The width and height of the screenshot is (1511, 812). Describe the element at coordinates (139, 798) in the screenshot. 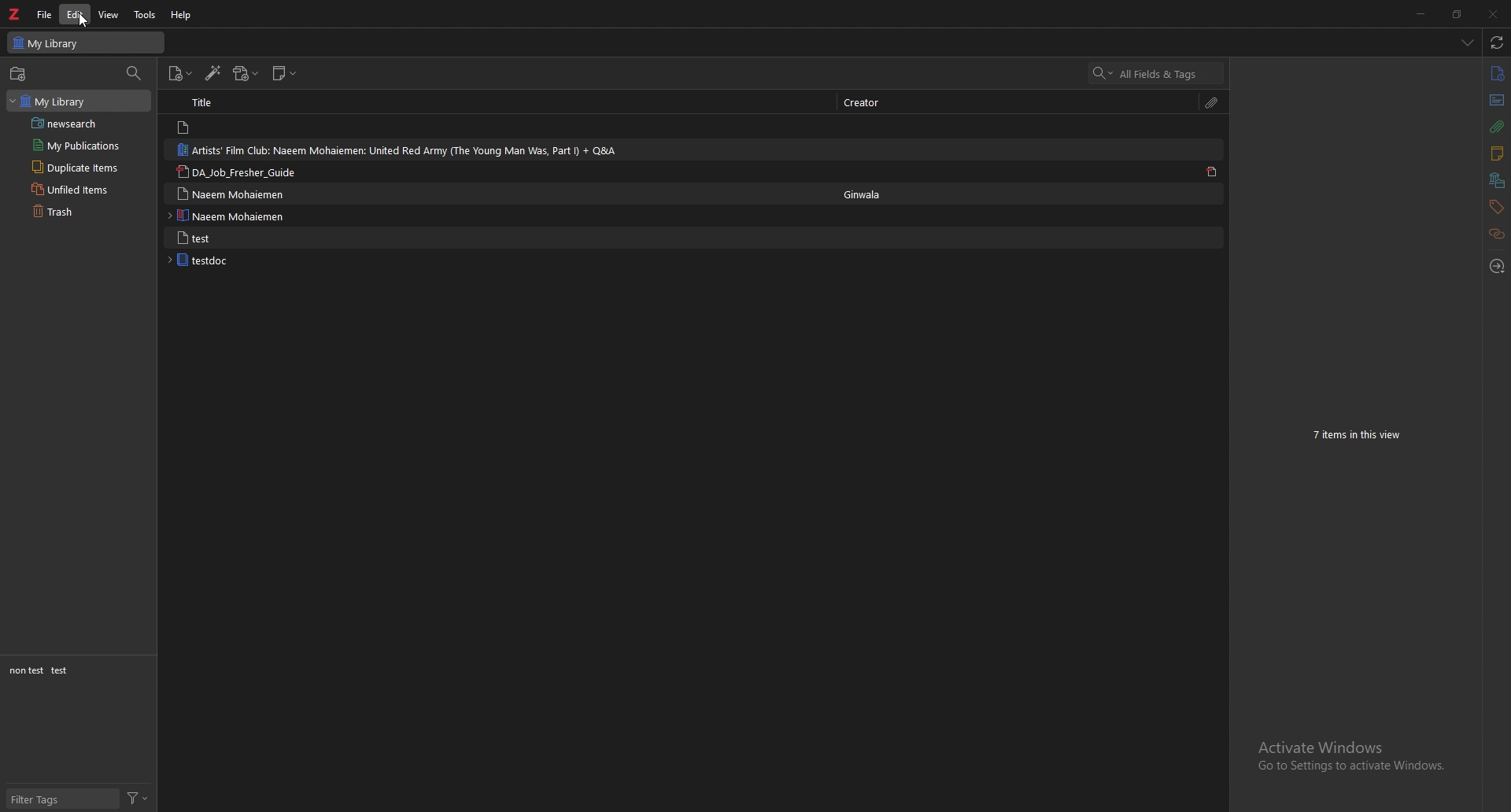

I see `filter` at that location.